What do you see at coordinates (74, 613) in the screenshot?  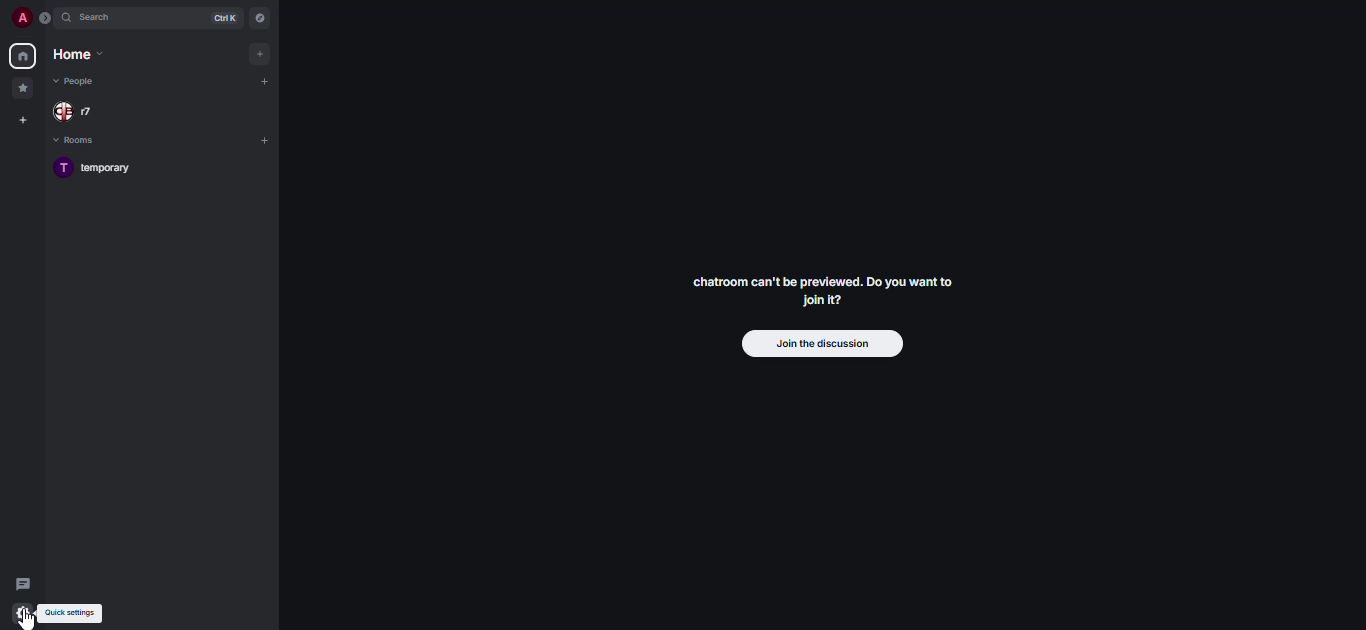 I see `quick settings` at bounding box center [74, 613].